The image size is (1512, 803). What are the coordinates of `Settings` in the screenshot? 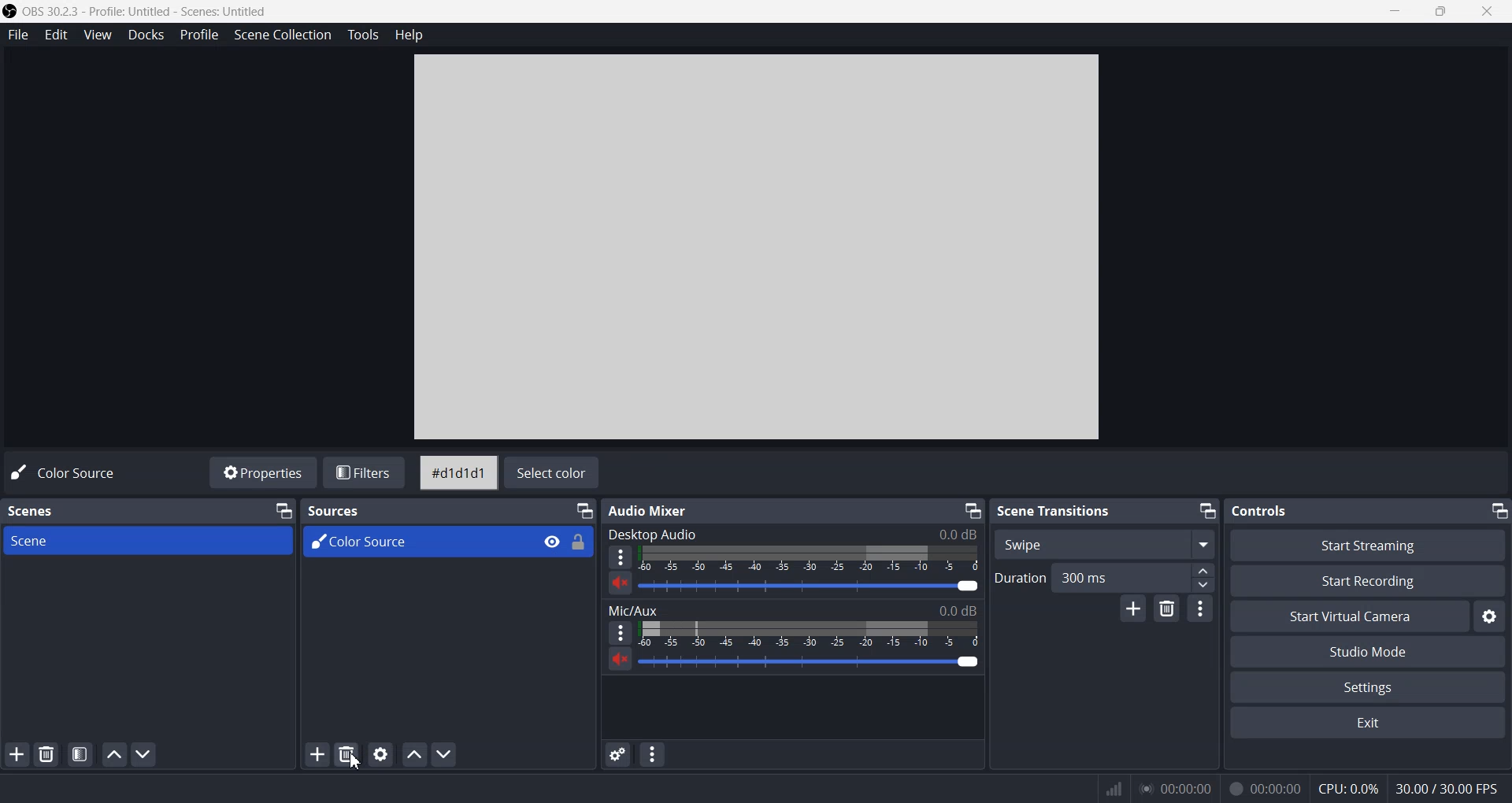 It's located at (1492, 616).